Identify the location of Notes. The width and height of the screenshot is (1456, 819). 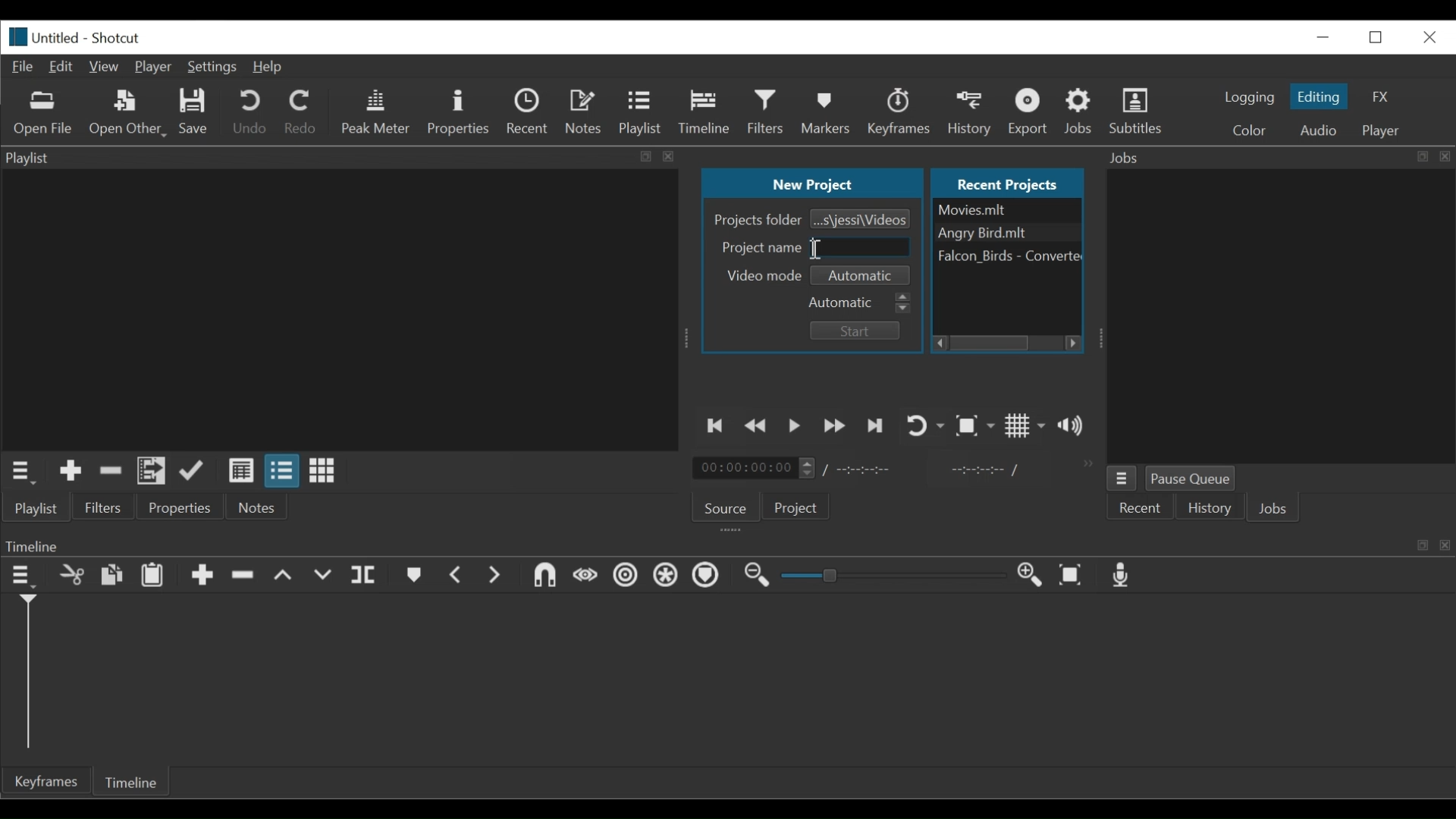
(258, 507).